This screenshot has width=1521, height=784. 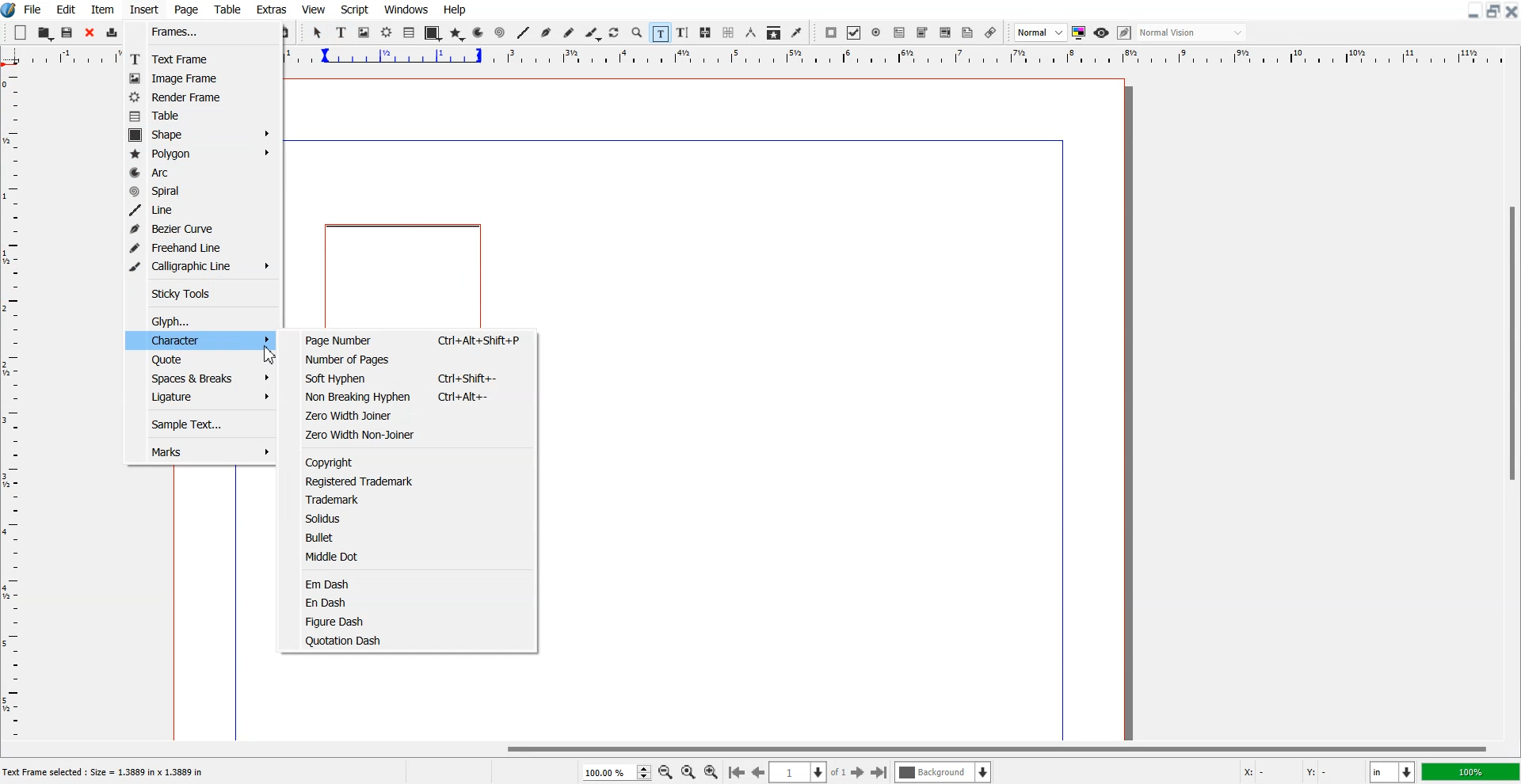 I want to click on En Dash, so click(x=414, y=603).